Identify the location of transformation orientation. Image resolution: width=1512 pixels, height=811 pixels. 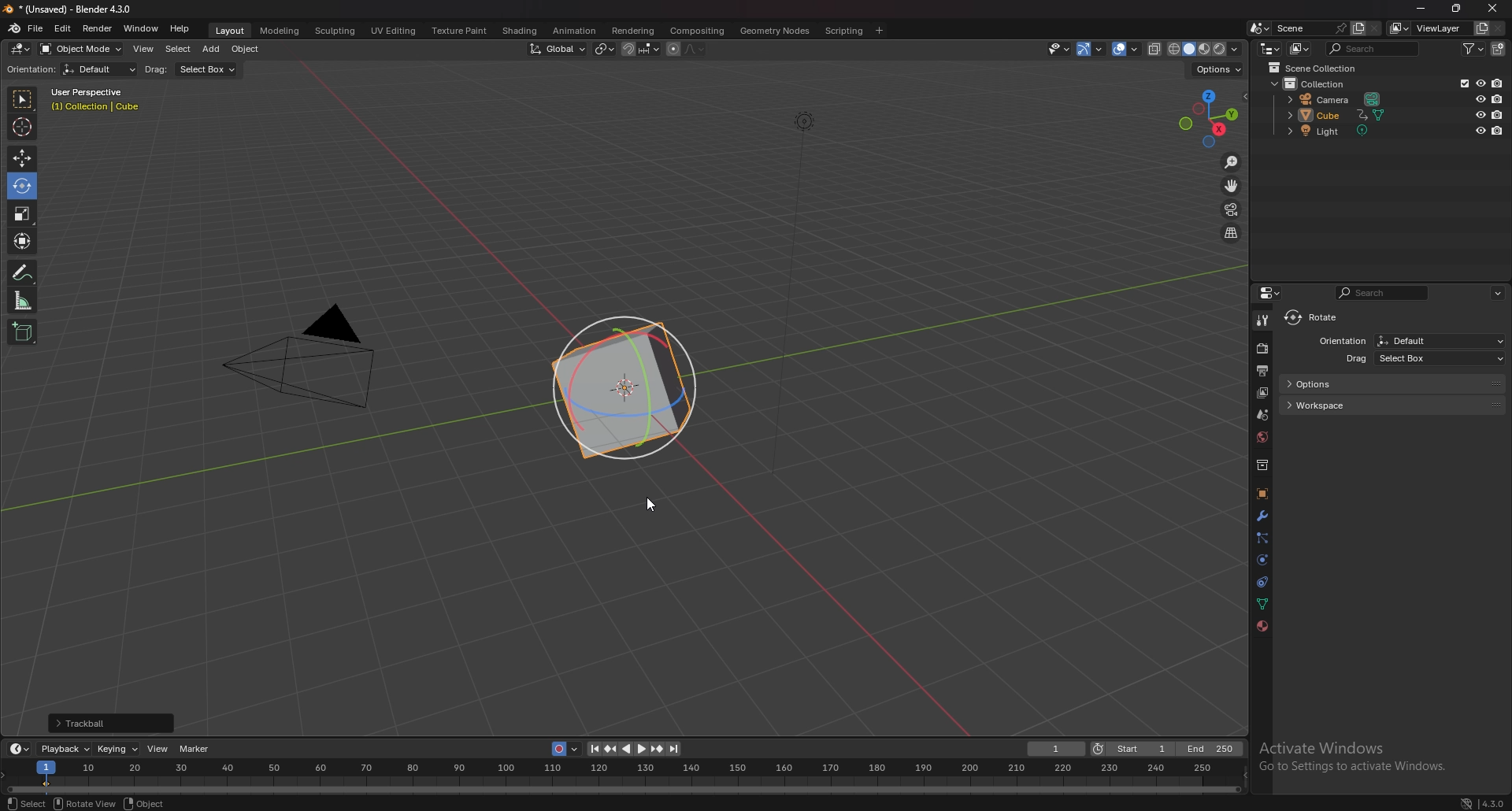
(558, 48).